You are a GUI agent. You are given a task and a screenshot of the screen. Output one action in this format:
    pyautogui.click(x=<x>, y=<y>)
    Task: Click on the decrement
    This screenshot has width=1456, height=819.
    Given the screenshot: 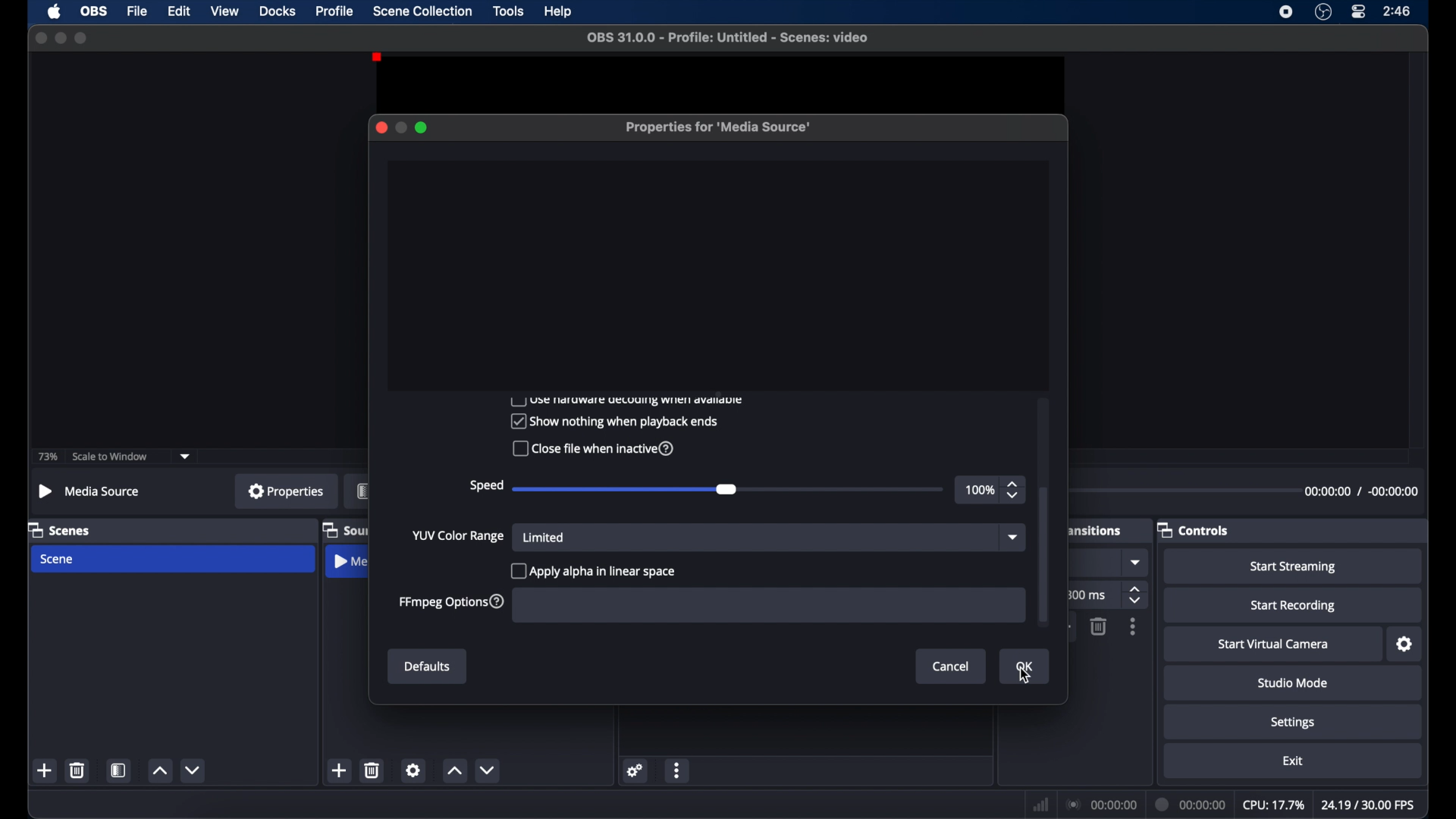 What is the action you would take?
    pyautogui.click(x=194, y=770)
    